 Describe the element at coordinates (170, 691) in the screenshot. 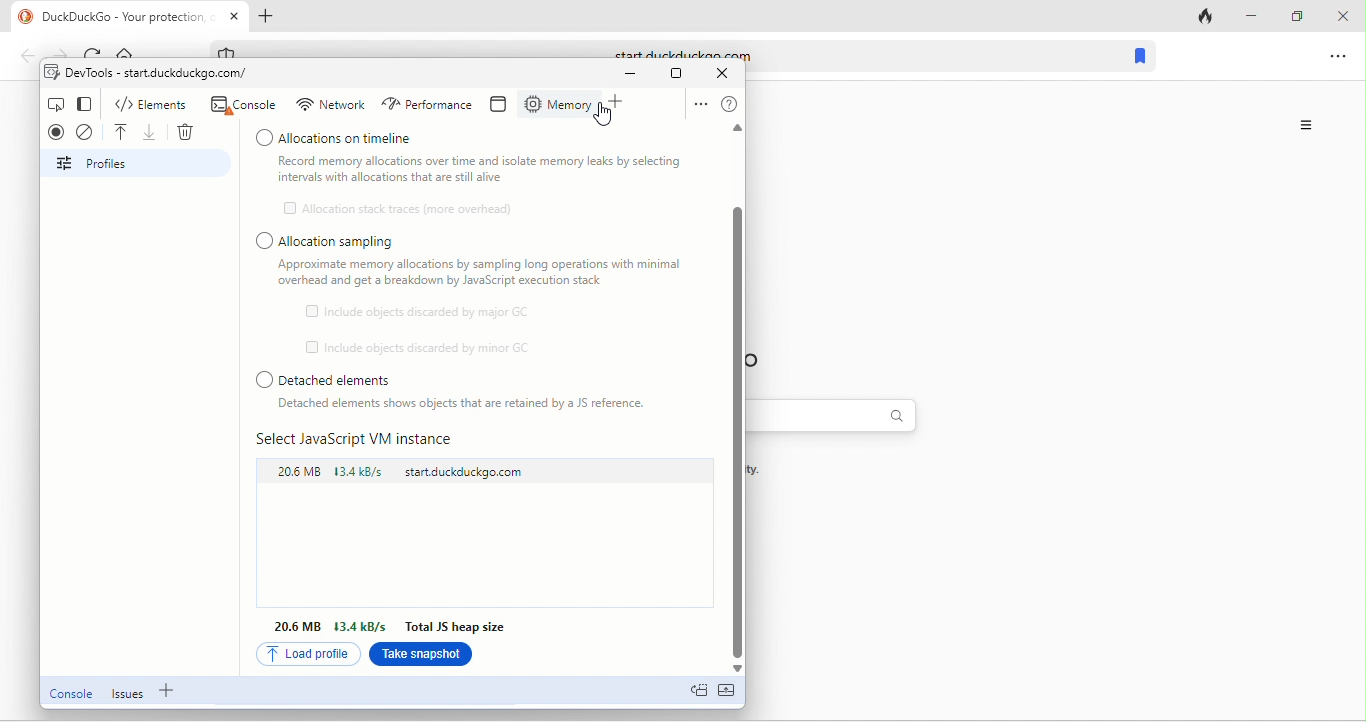

I see `add` at that location.